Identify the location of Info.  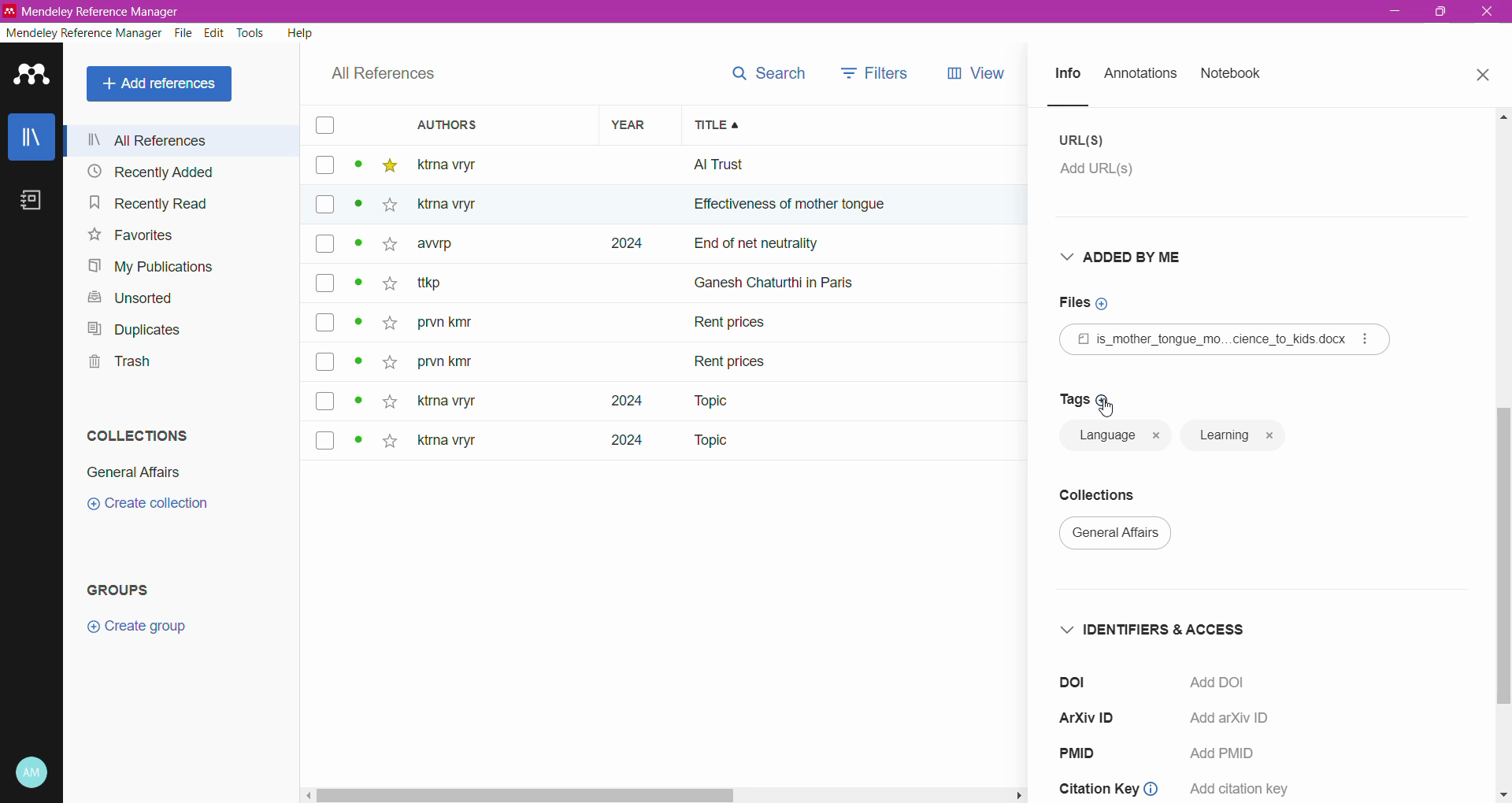
(1066, 75).